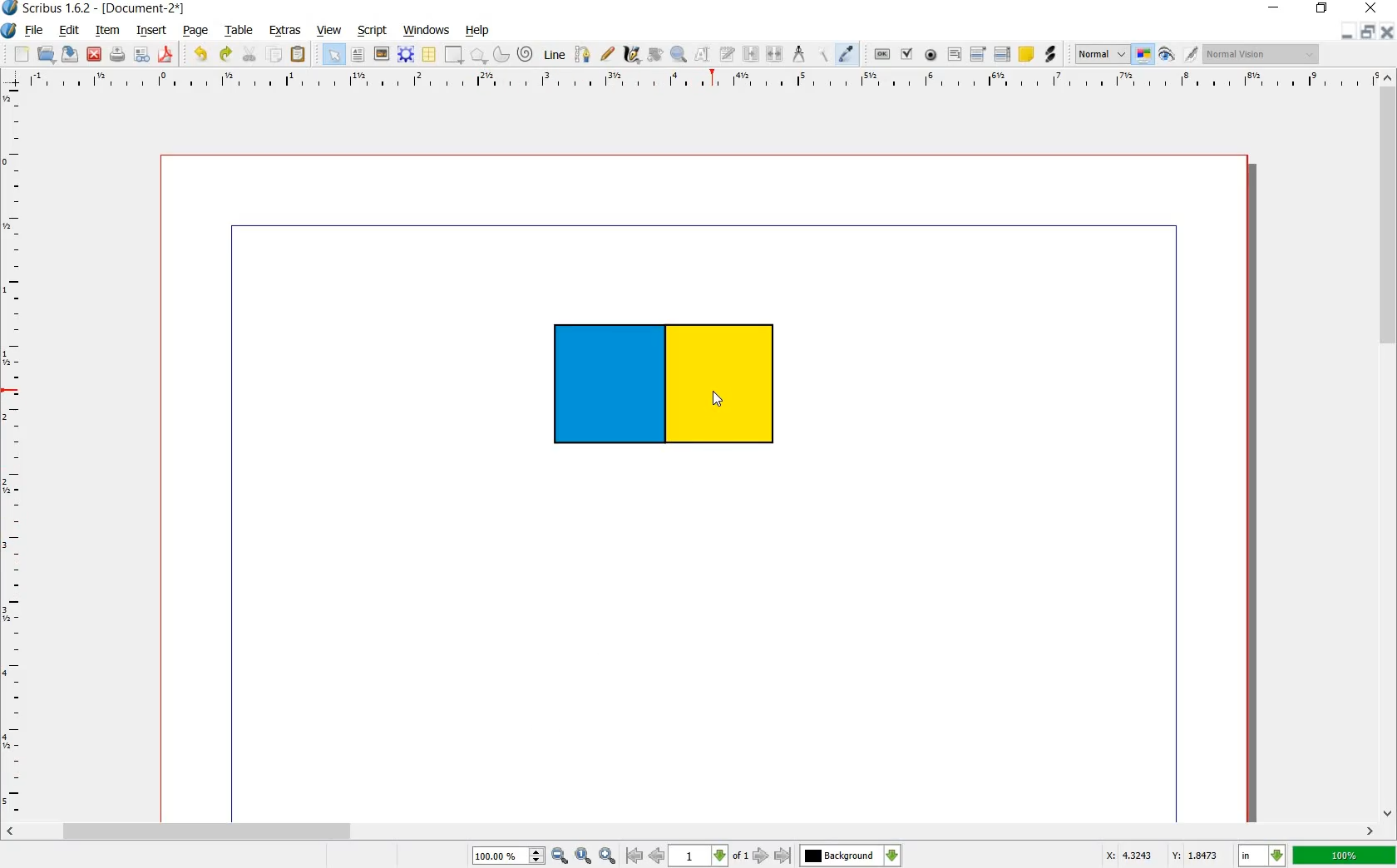  Describe the element at coordinates (1163, 856) in the screenshot. I see `X: 43243 Y: 18473` at that location.